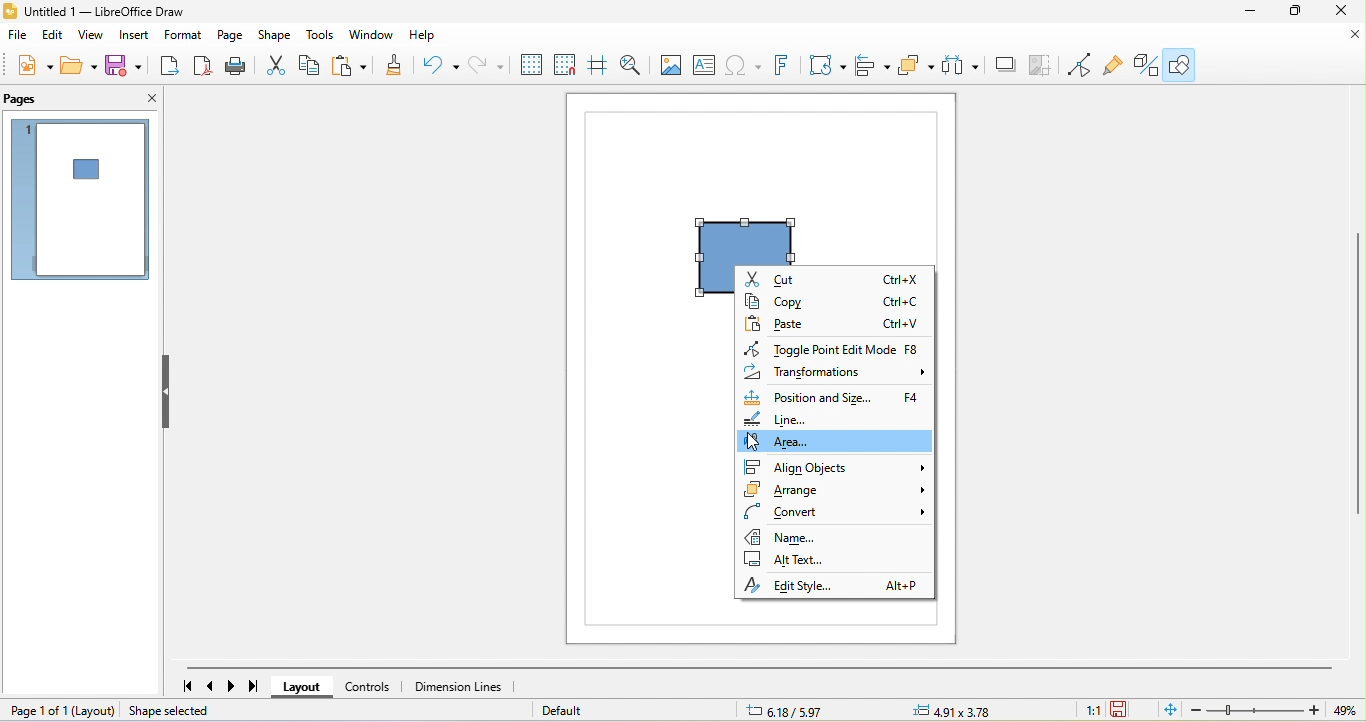 This screenshot has width=1366, height=722. What do you see at coordinates (1296, 12) in the screenshot?
I see `maximize` at bounding box center [1296, 12].